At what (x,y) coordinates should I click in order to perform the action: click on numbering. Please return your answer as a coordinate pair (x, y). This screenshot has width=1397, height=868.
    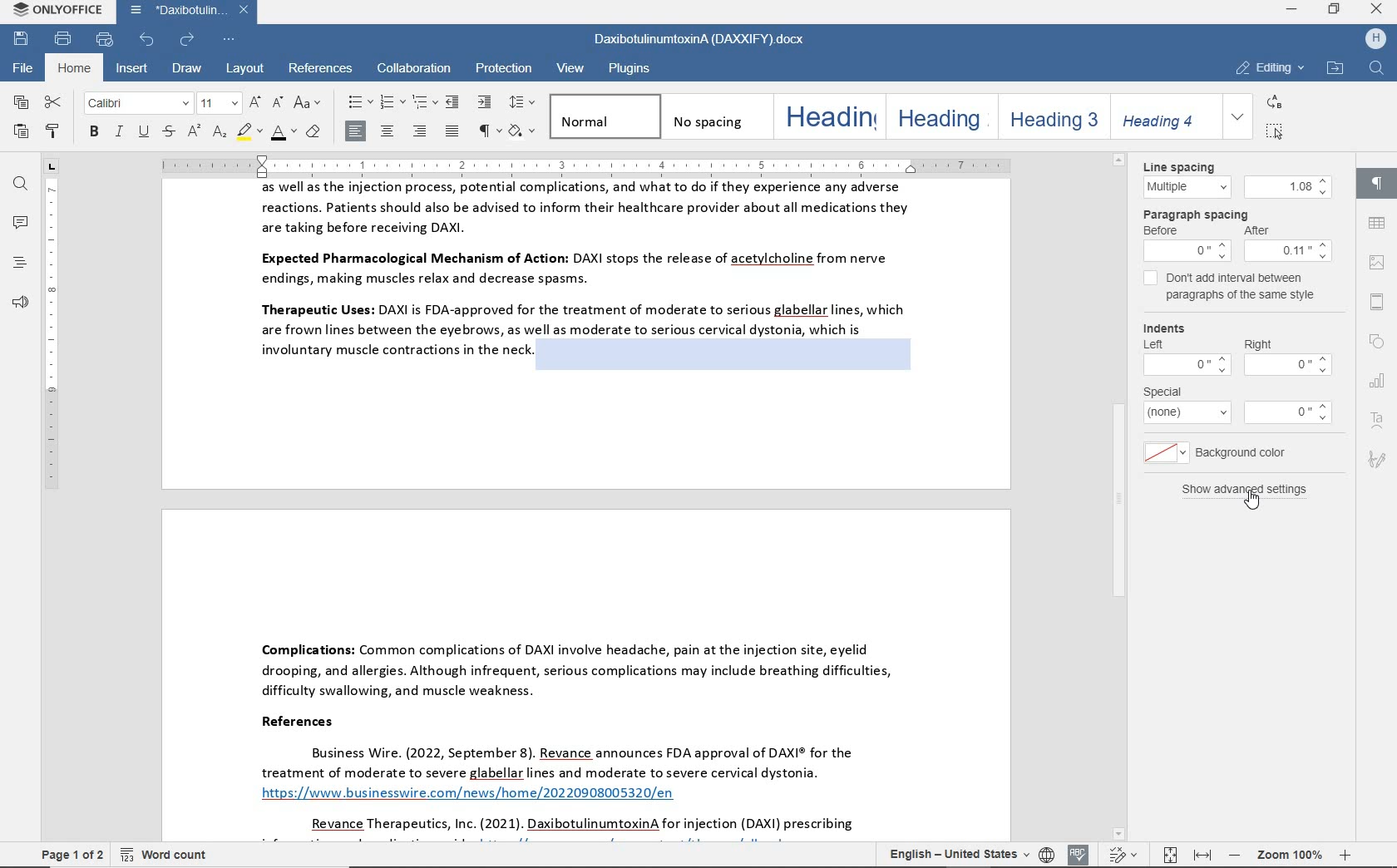
    Looking at the image, I should click on (390, 103).